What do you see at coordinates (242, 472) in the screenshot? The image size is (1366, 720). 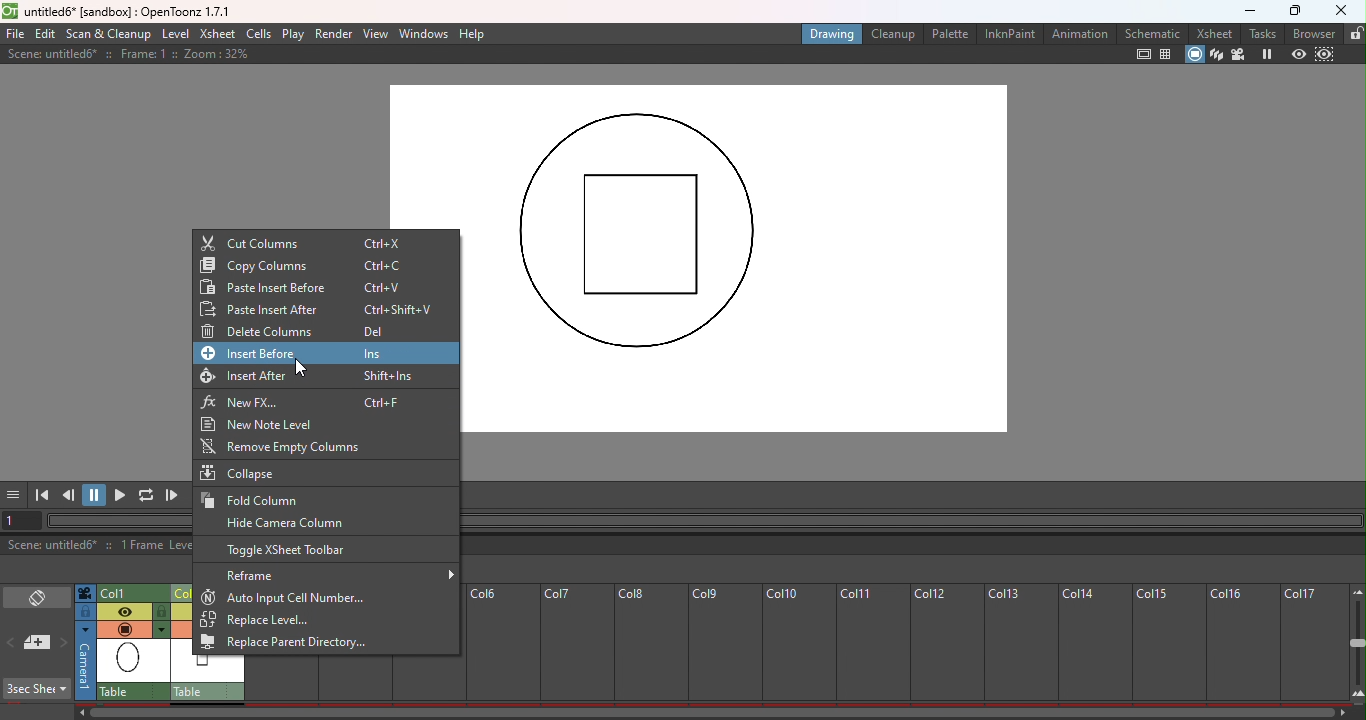 I see `Collapse` at bounding box center [242, 472].